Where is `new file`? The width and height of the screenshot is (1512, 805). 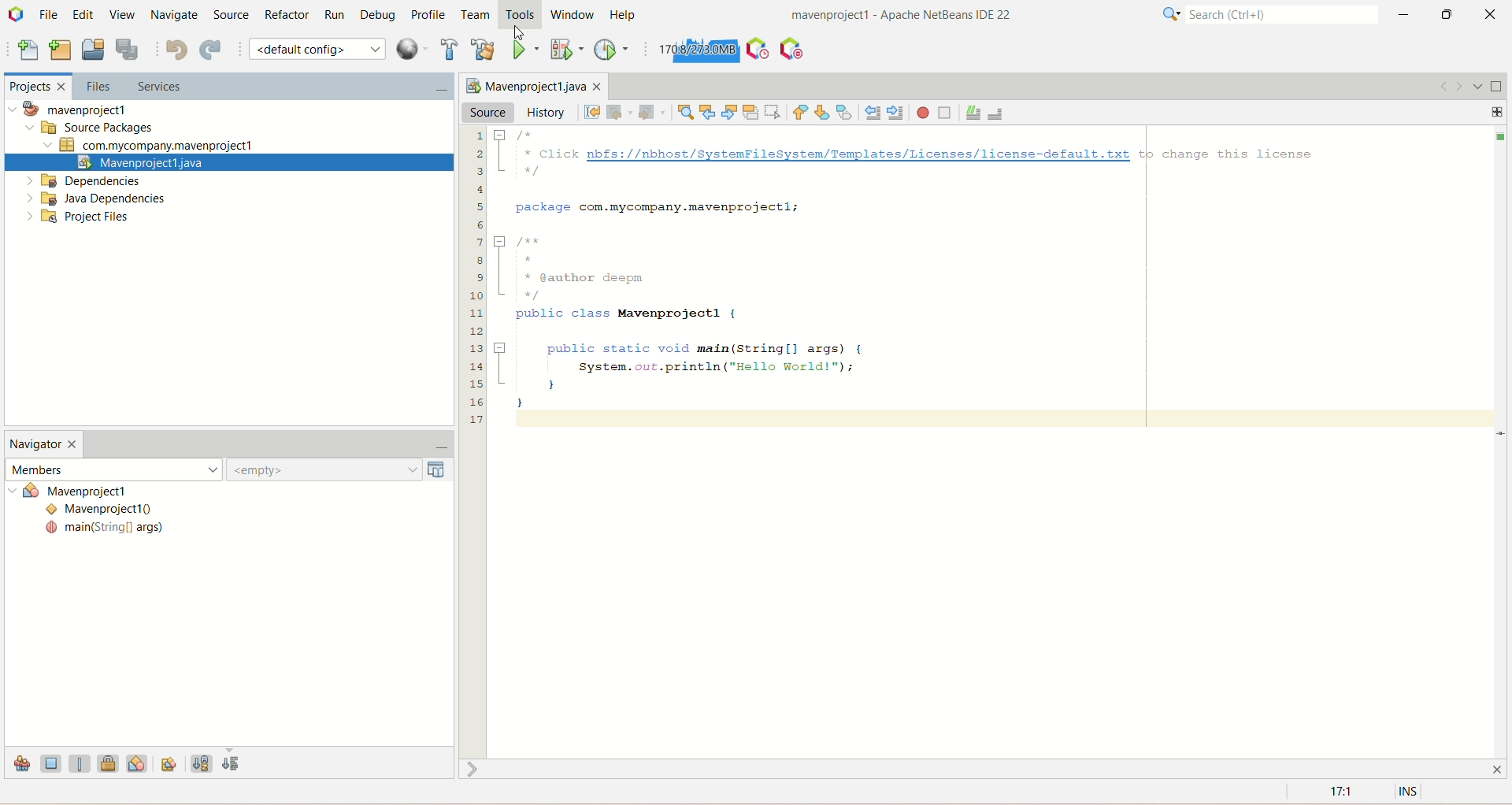 new file is located at coordinates (26, 52).